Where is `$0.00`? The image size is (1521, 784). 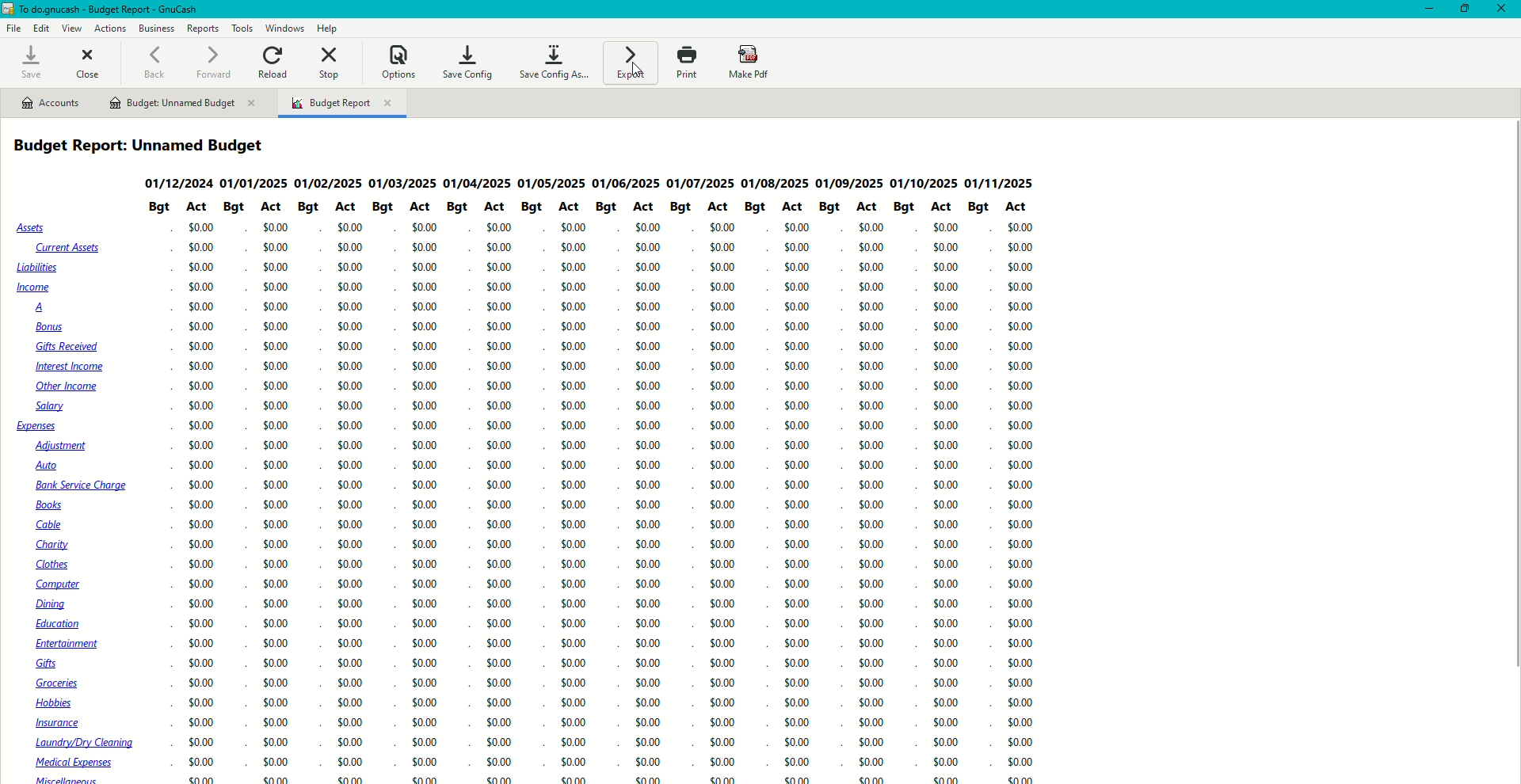 $0.00 is located at coordinates (651, 363).